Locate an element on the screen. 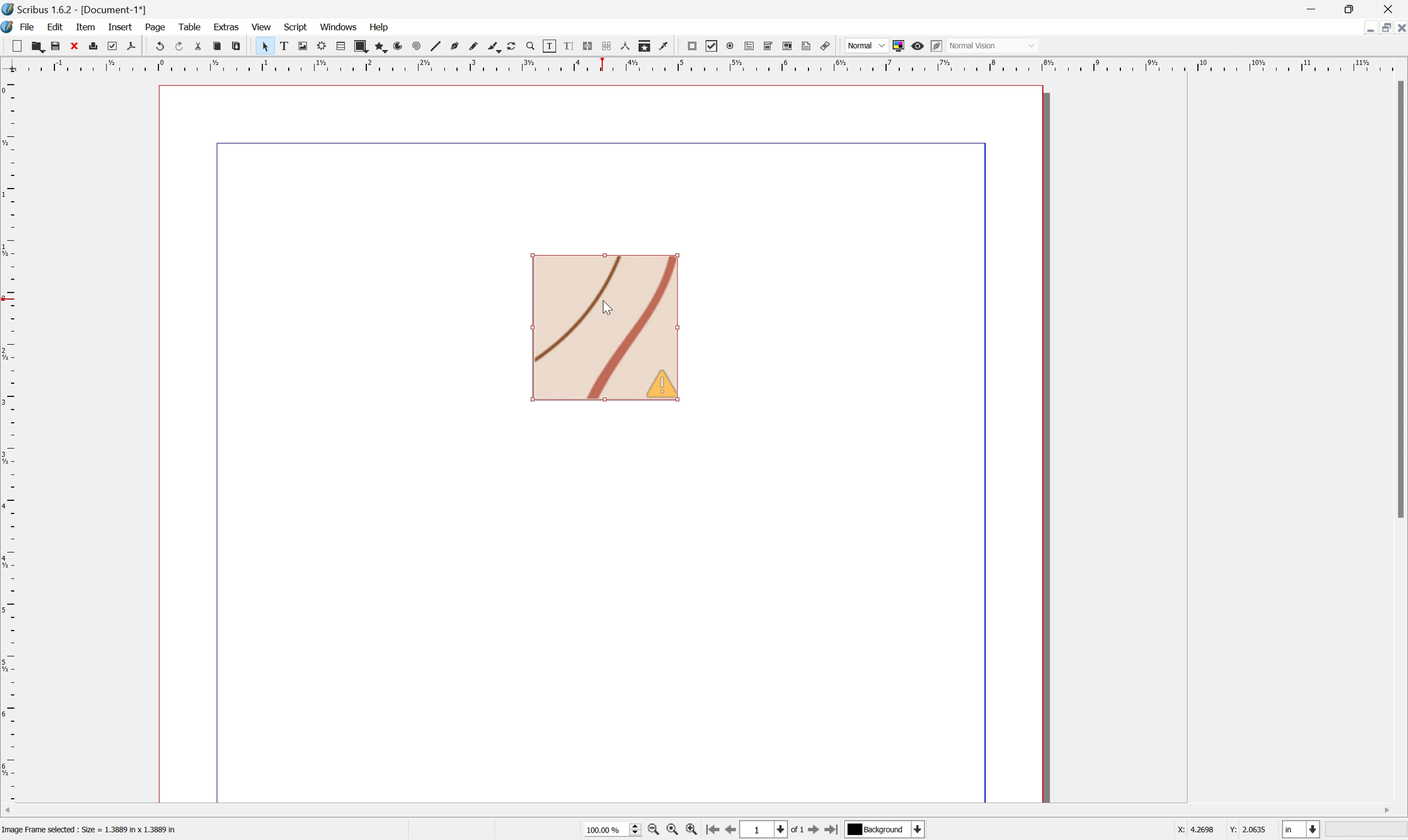  Preflight verifier is located at coordinates (115, 47).